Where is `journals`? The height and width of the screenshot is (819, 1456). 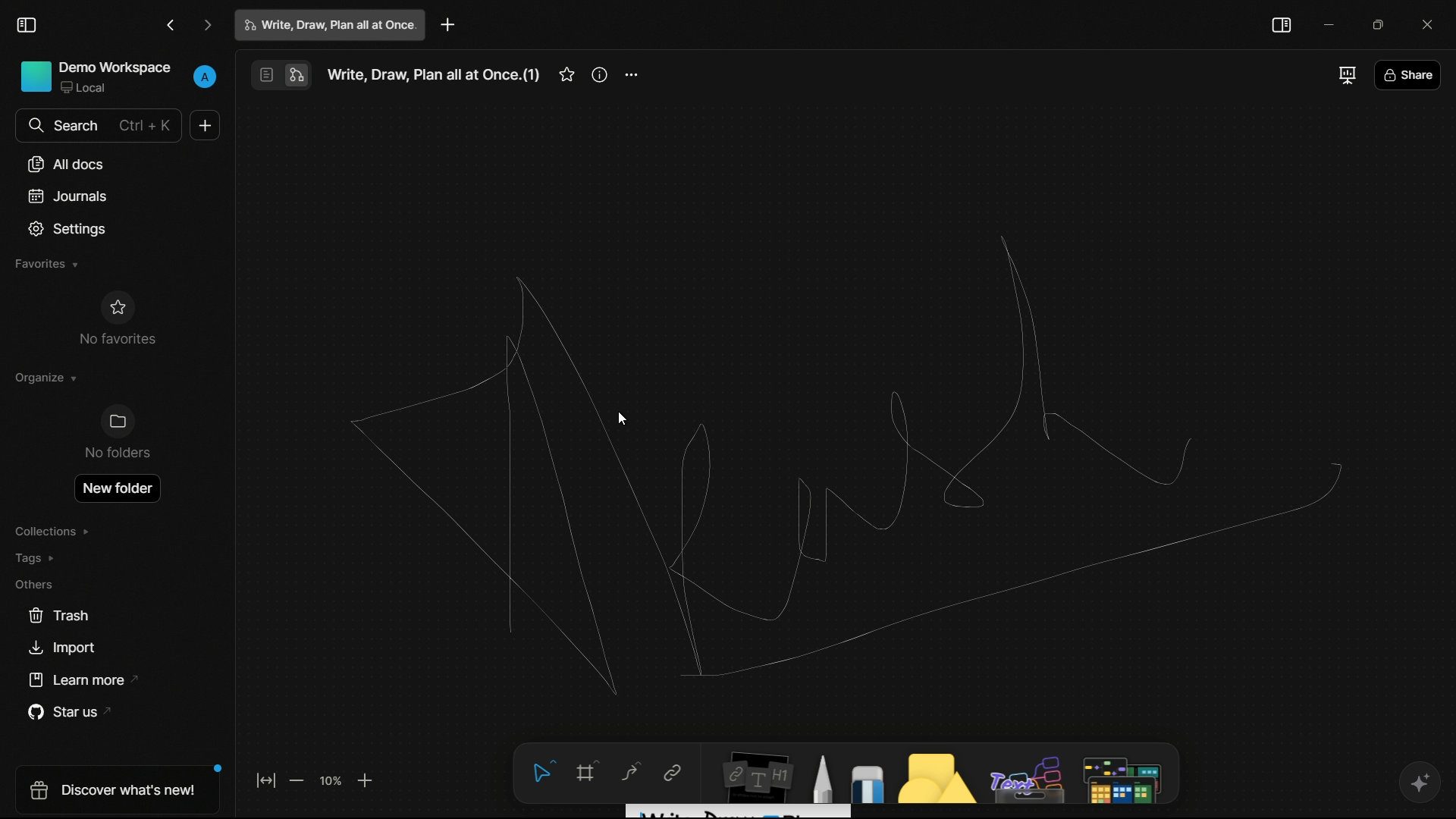 journals is located at coordinates (66, 197).